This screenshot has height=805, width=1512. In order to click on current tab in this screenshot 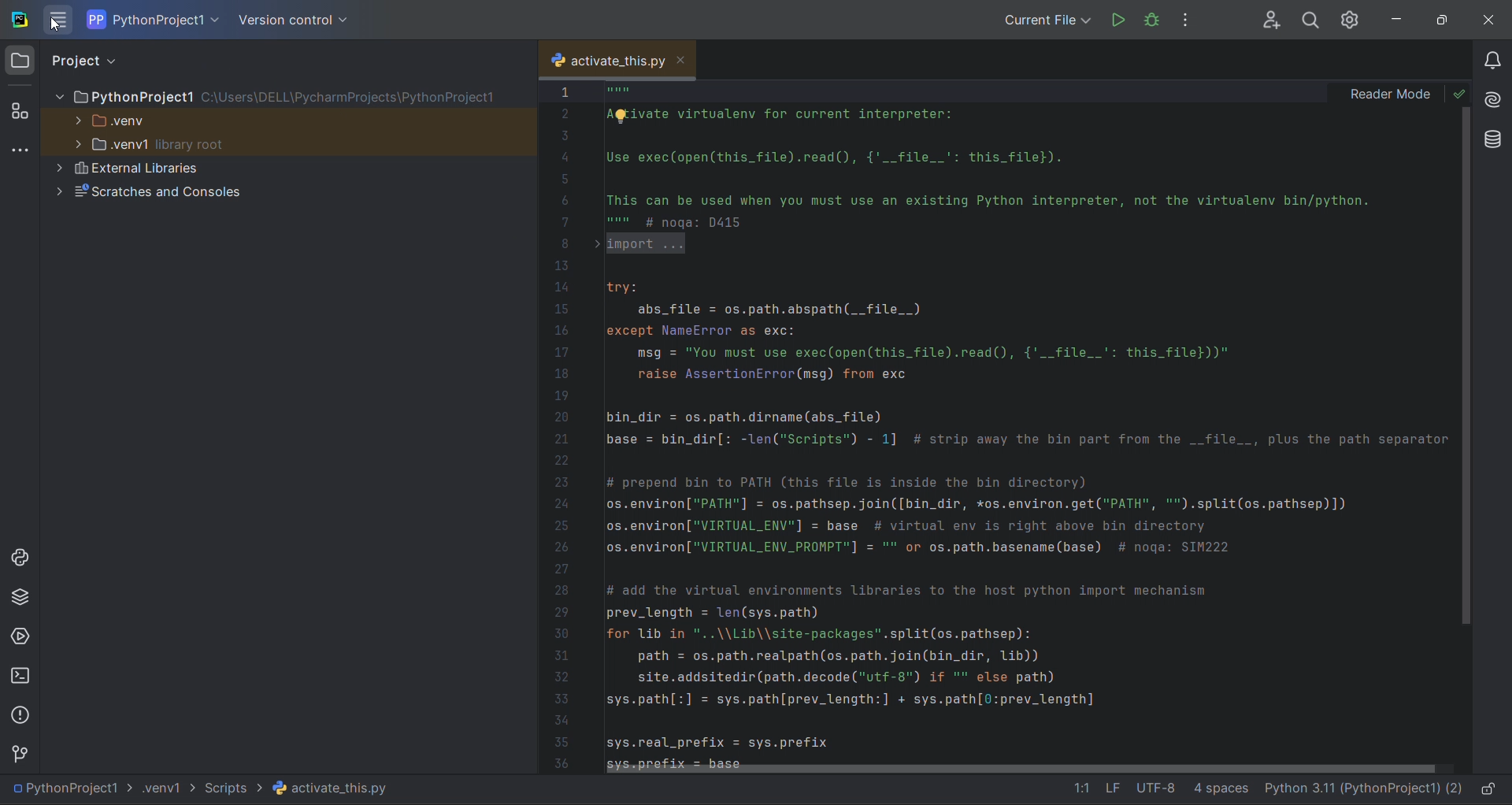, I will do `click(597, 61)`.